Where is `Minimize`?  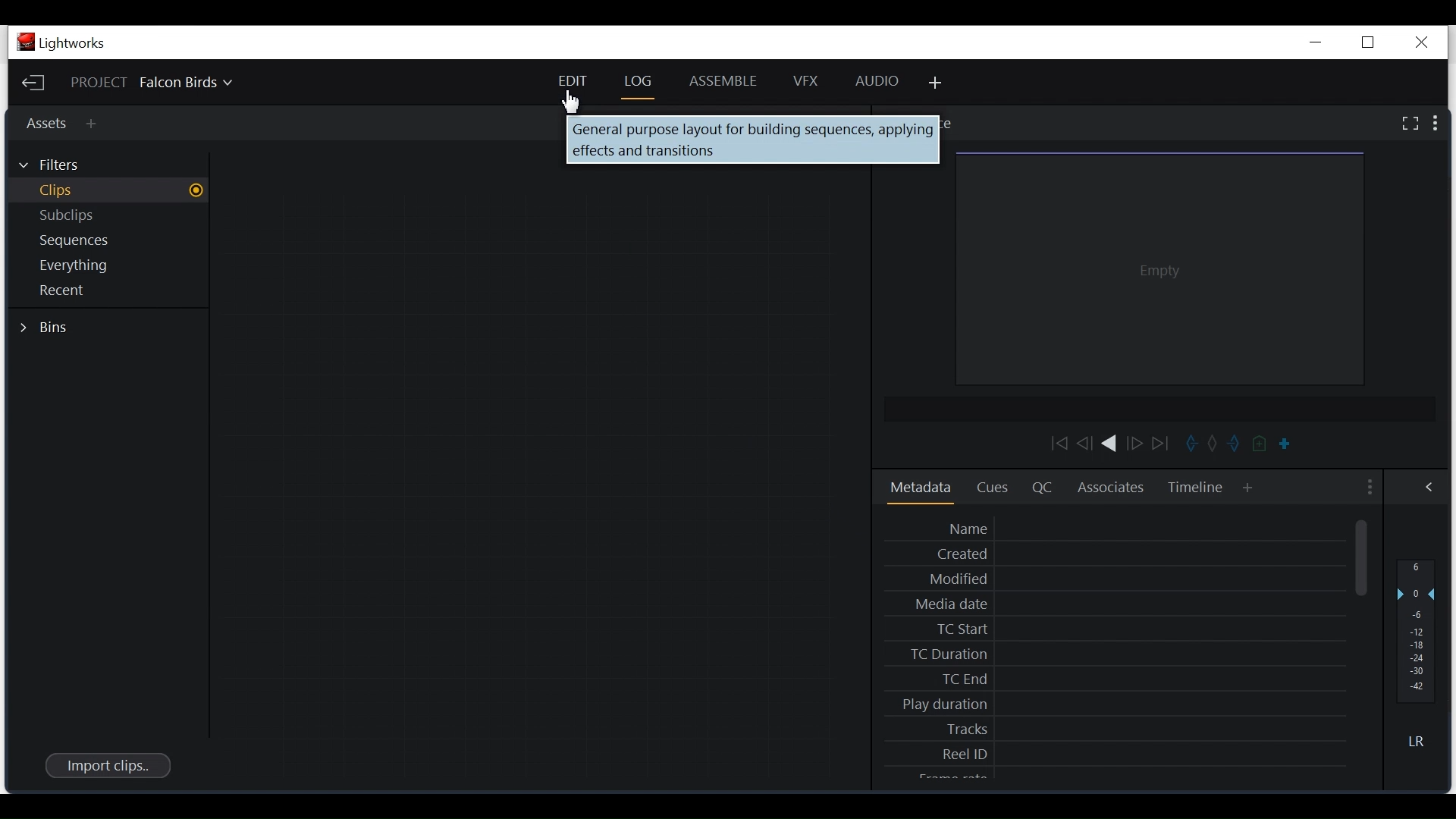
Minimize is located at coordinates (1313, 42).